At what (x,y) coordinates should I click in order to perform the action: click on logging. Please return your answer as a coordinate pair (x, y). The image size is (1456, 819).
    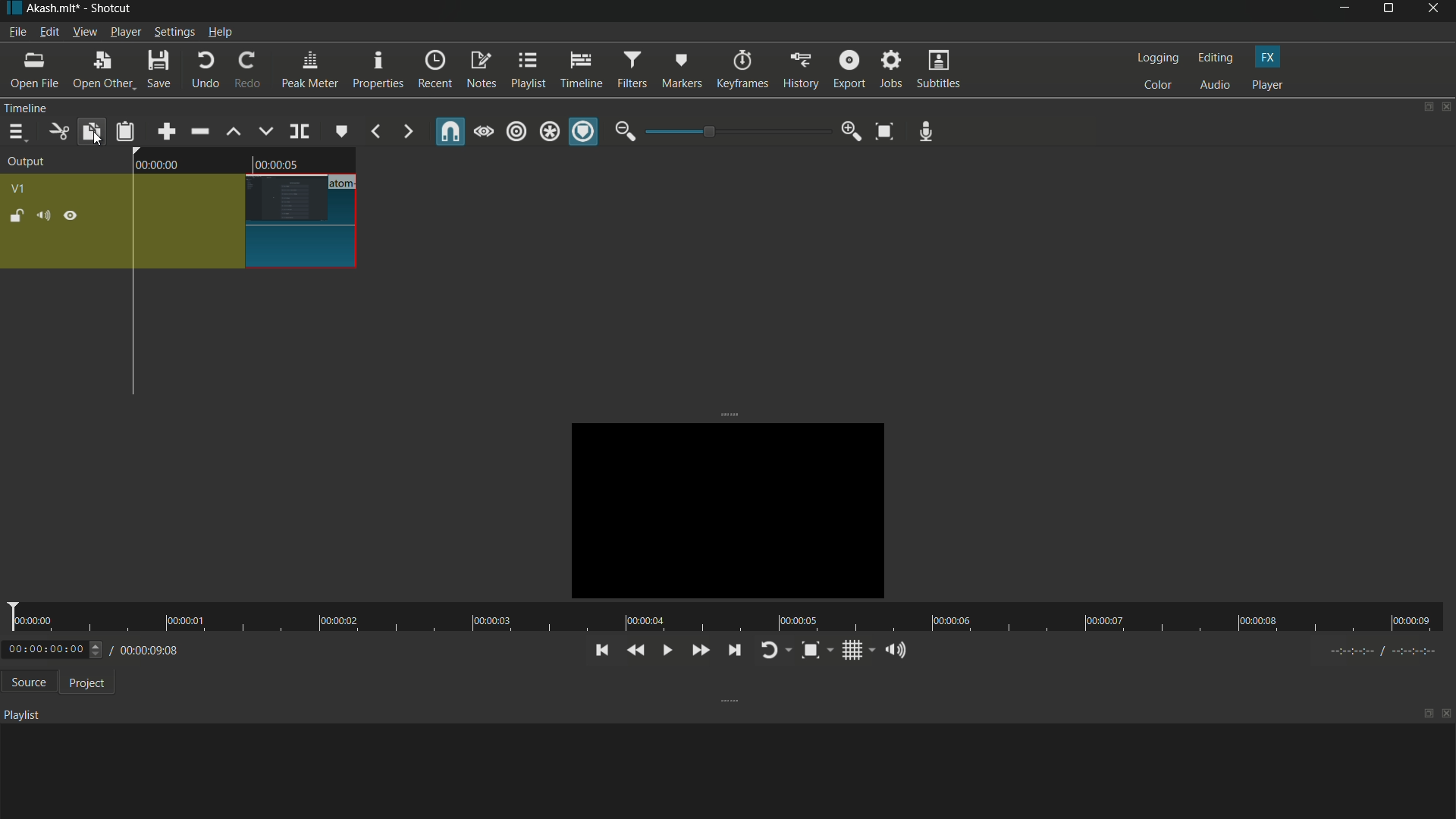
    Looking at the image, I should click on (1155, 58).